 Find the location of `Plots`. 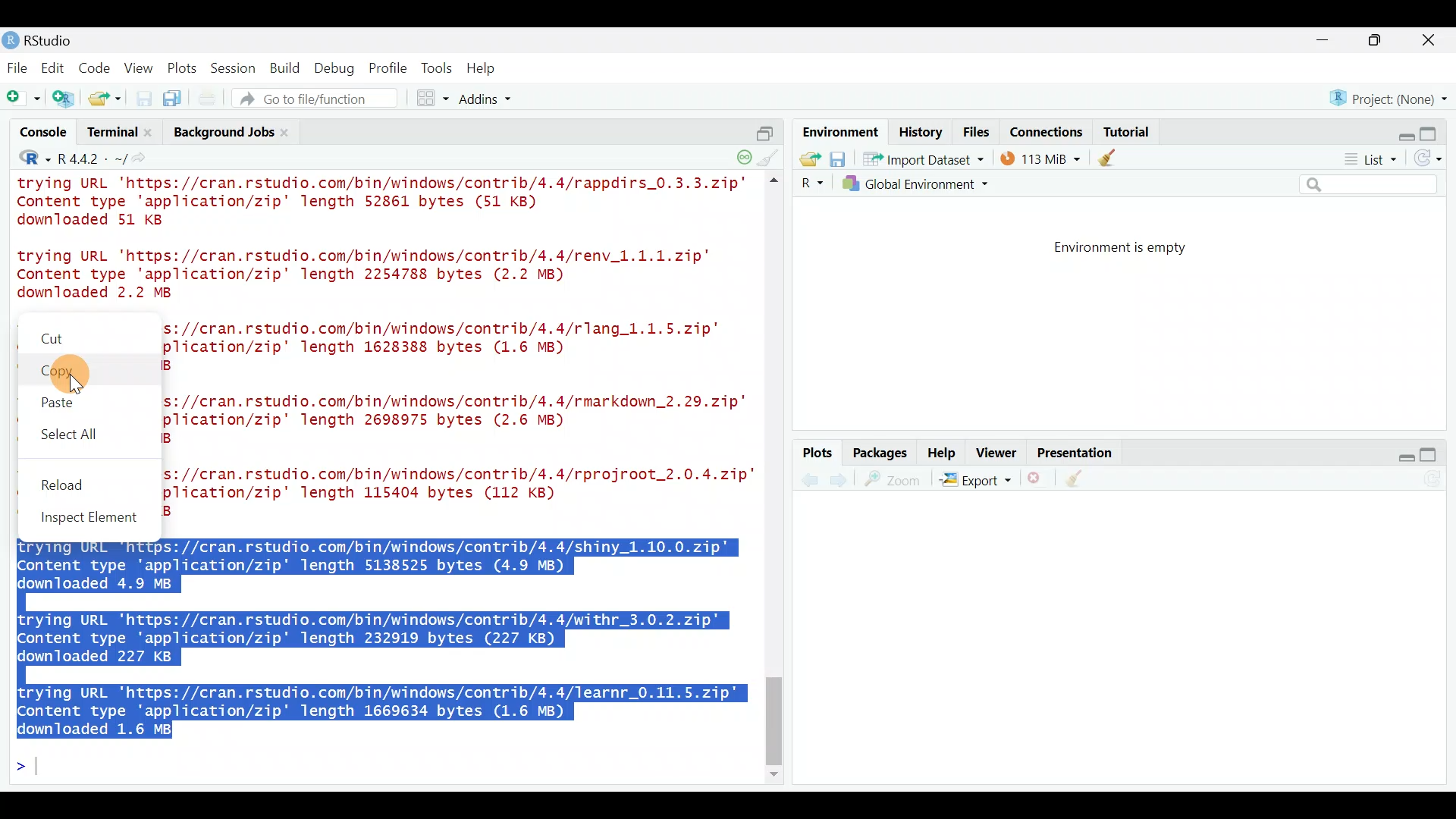

Plots is located at coordinates (818, 453).